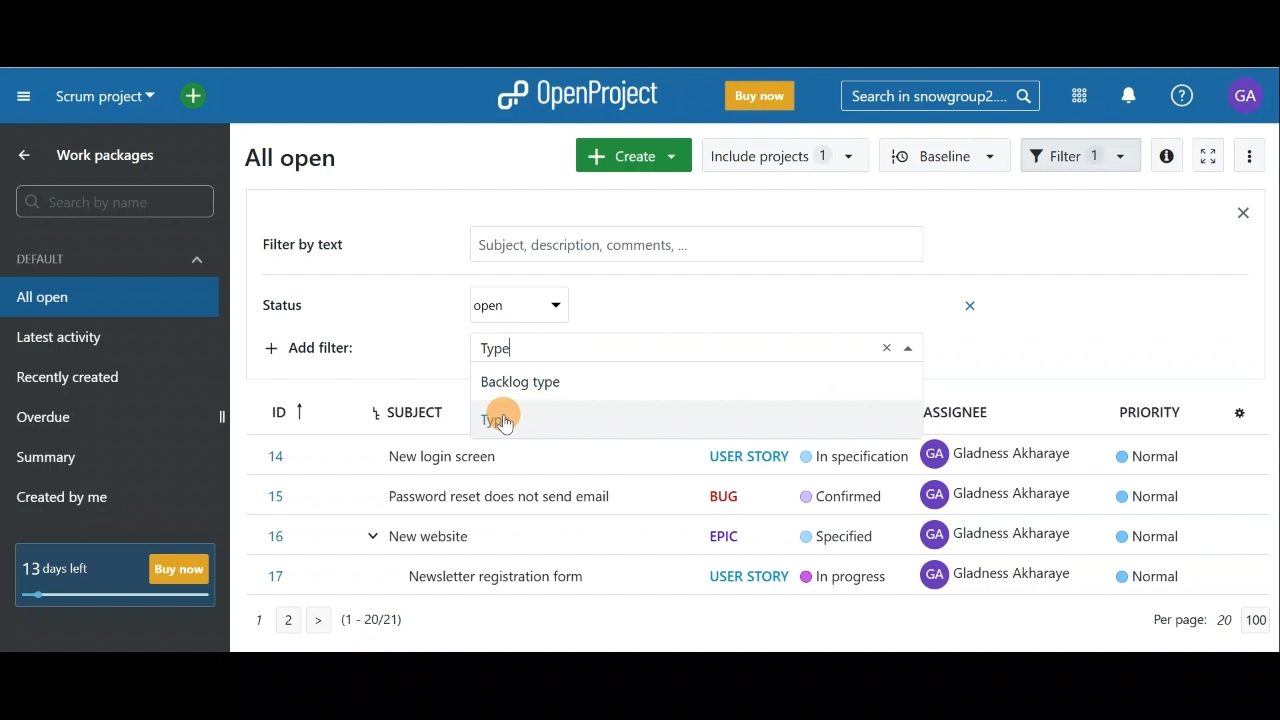  What do you see at coordinates (523, 382) in the screenshot?
I see `Backlog type` at bounding box center [523, 382].